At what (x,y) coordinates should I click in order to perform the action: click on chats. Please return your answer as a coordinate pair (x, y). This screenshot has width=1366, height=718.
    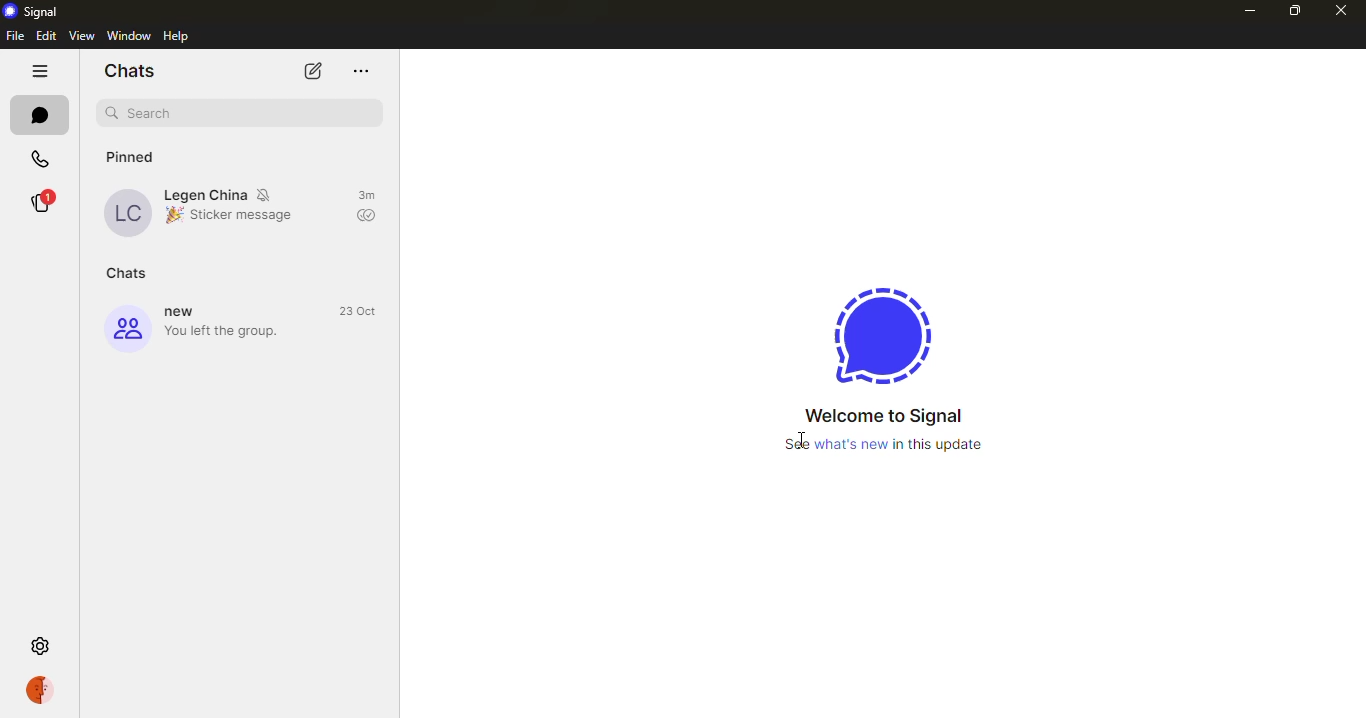
    Looking at the image, I should click on (127, 273).